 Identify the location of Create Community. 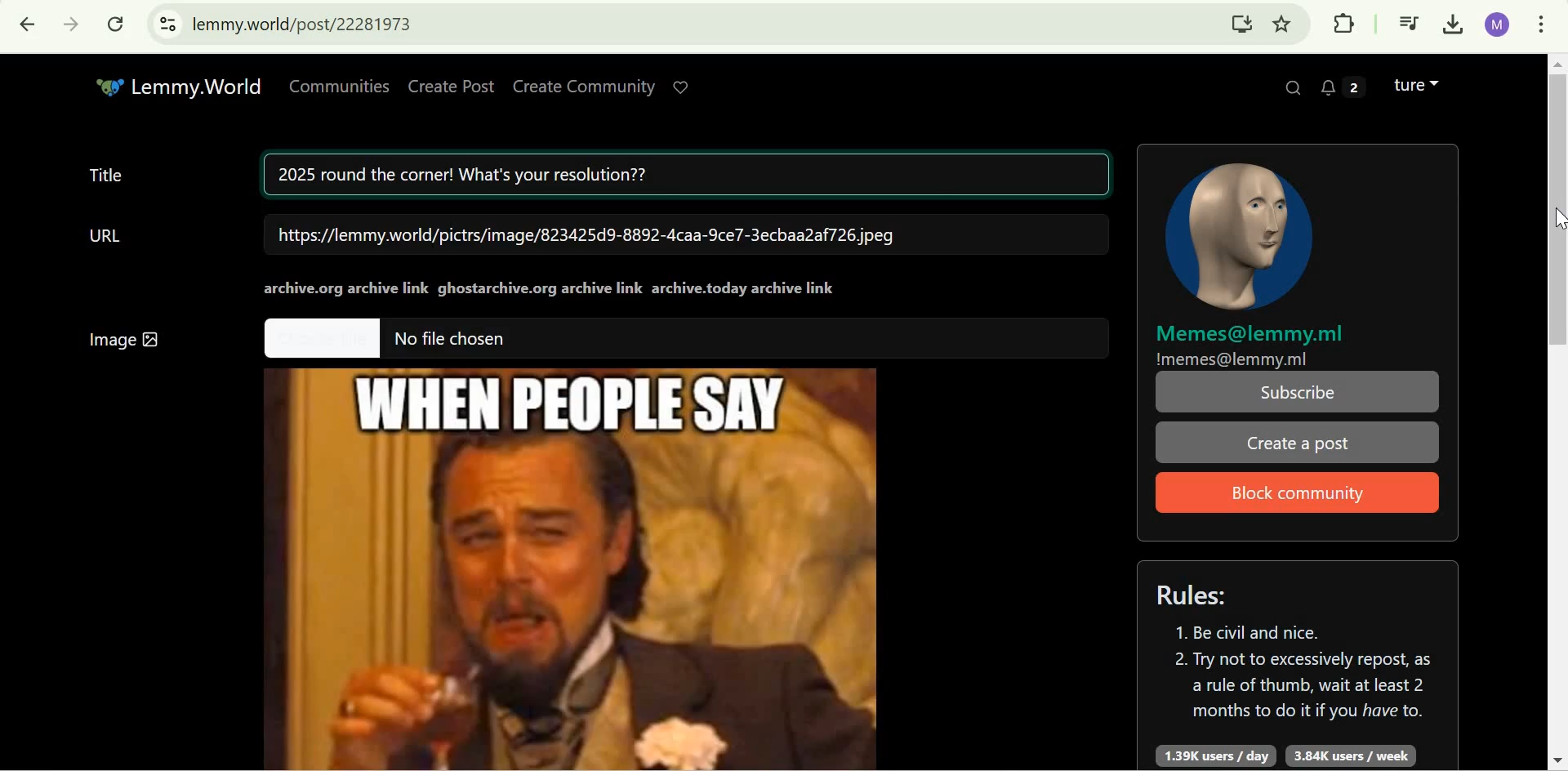
(583, 87).